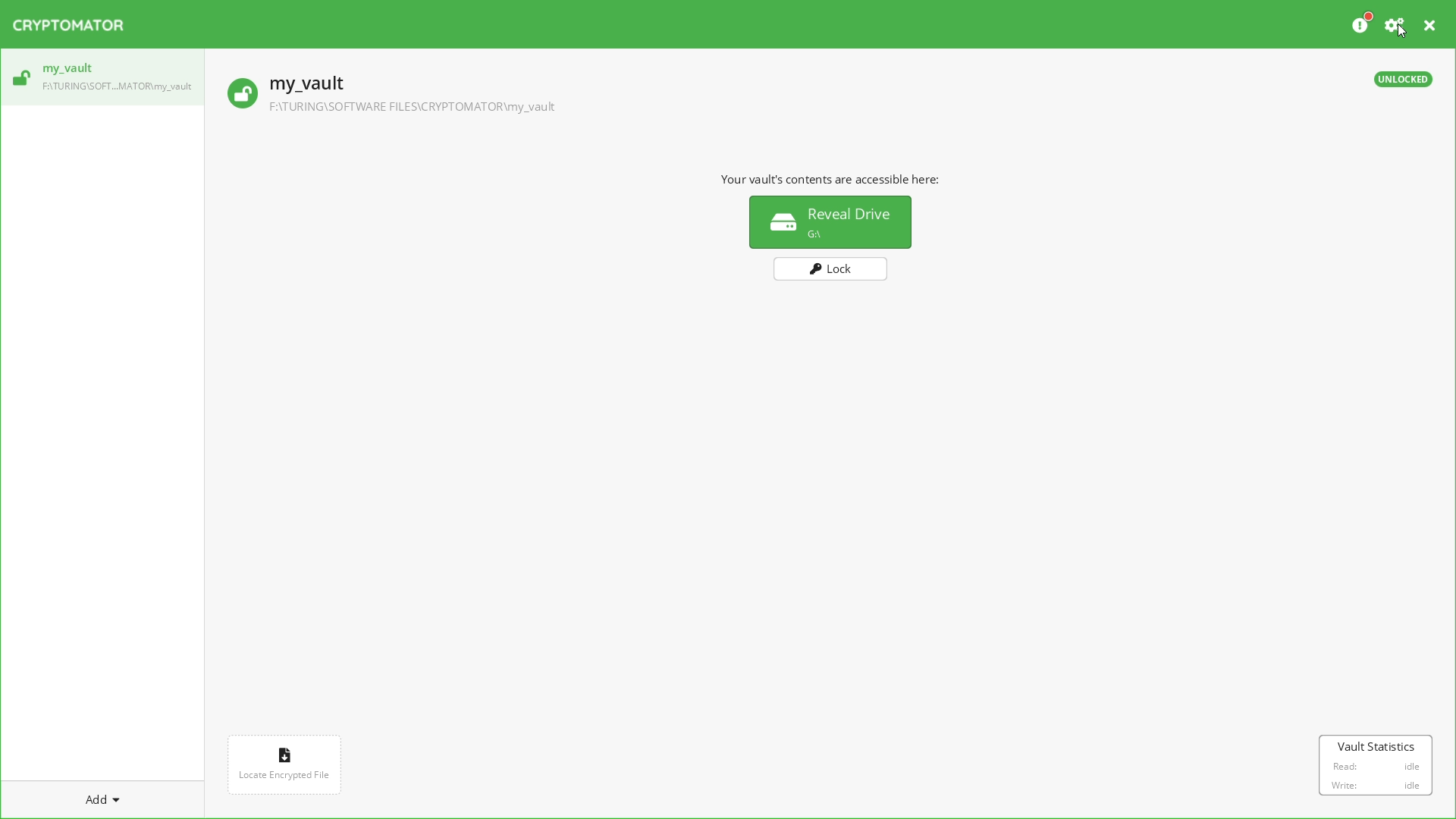 This screenshot has width=1456, height=819. Describe the element at coordinates (789, 100) in the screenshot. I see `Current Open Vault` at that location.